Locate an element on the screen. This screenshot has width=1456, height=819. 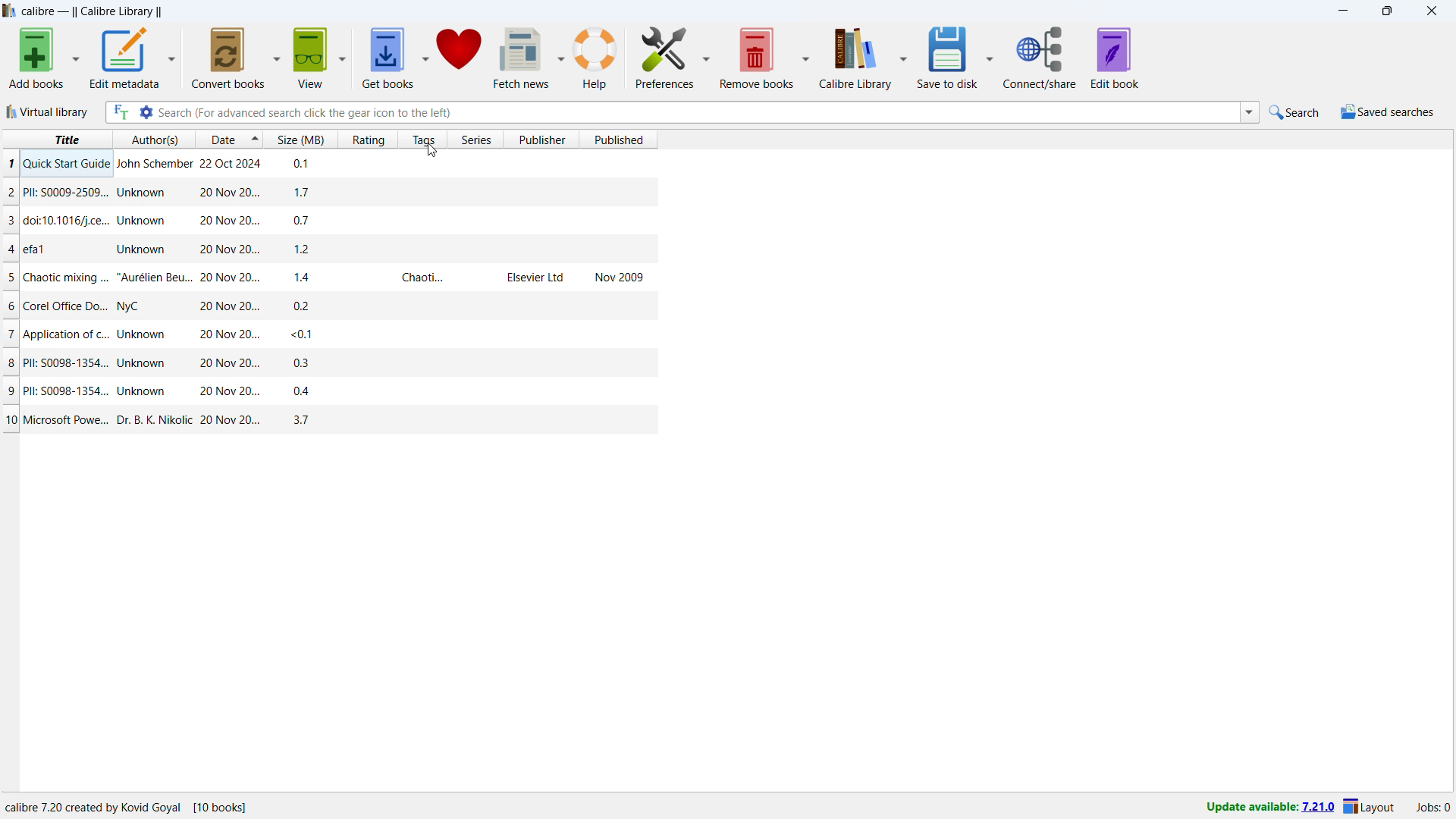
one book entry is located at coordinates (325, 221).